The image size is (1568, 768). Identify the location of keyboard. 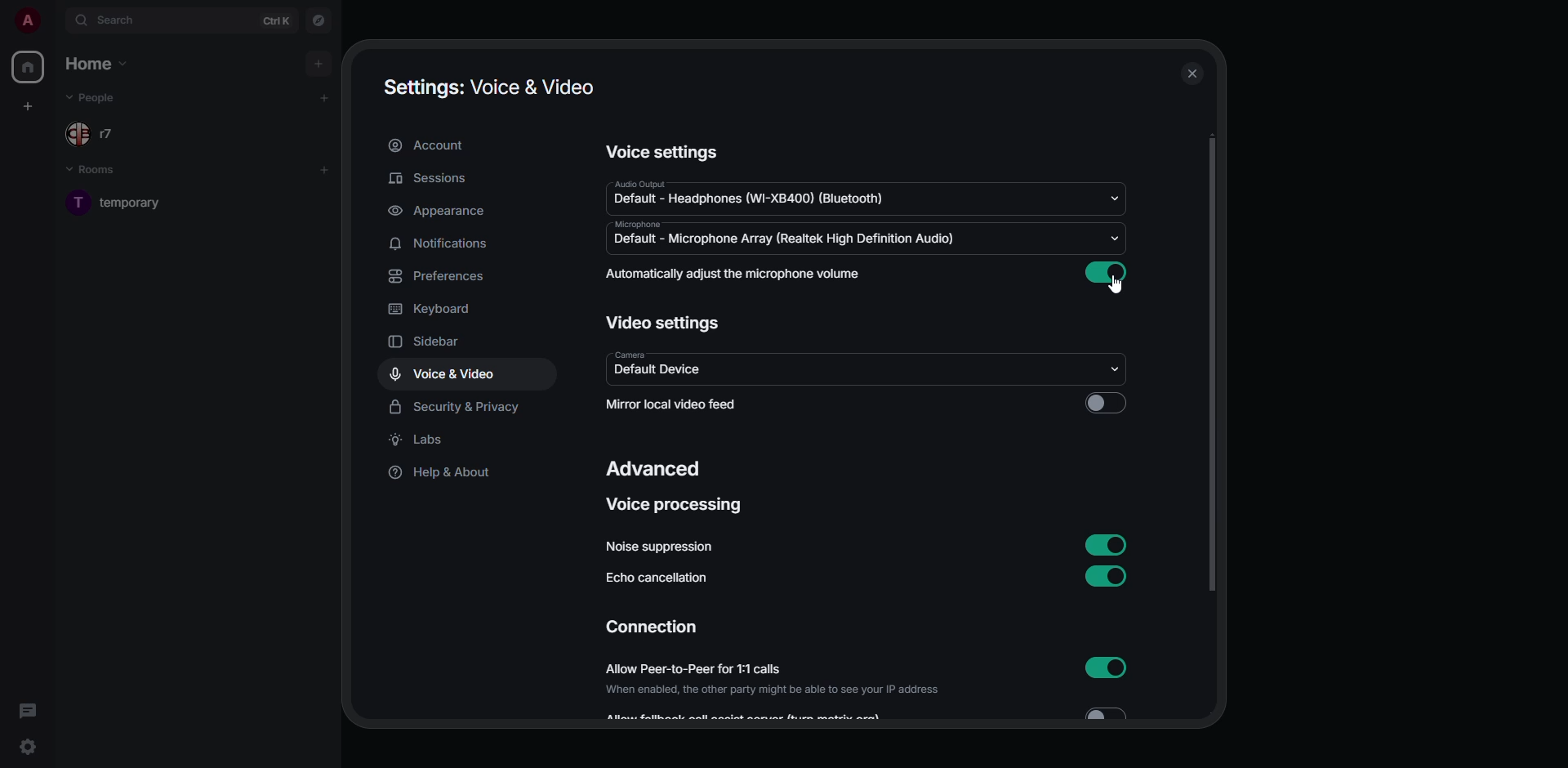
(433, 310).